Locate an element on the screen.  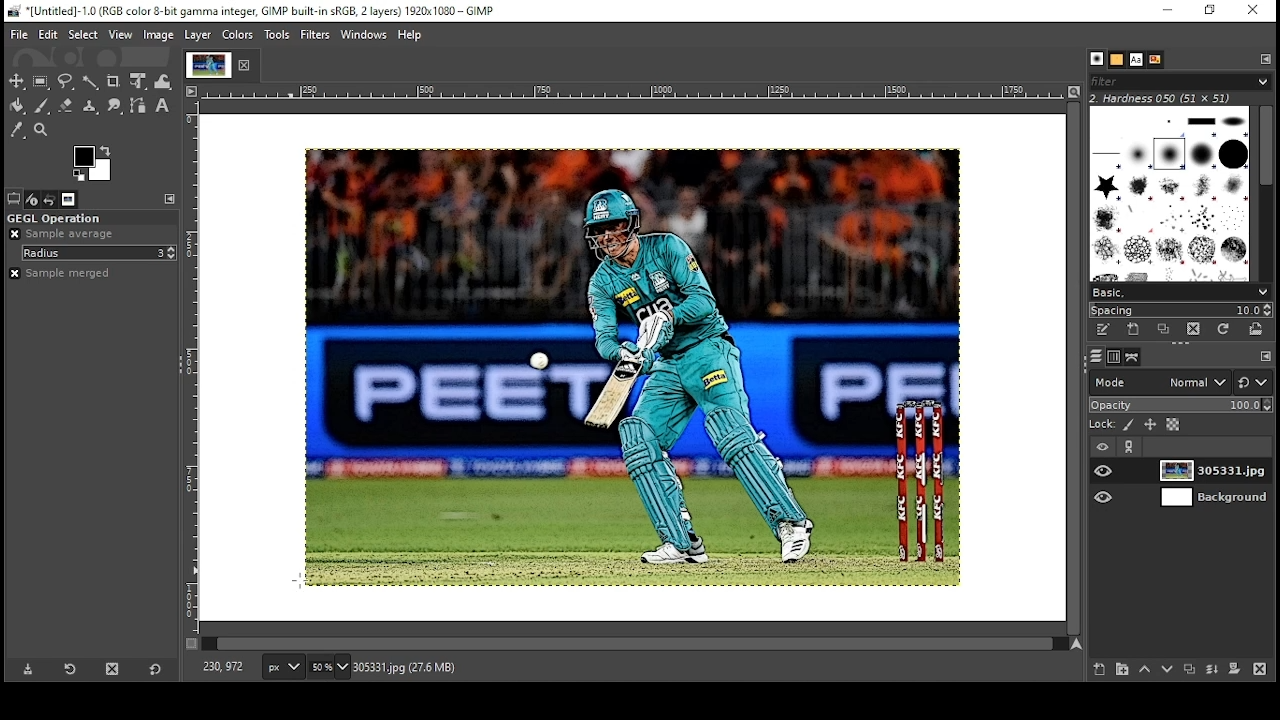
lock alpha channel is located at coordinates (1173, 425).